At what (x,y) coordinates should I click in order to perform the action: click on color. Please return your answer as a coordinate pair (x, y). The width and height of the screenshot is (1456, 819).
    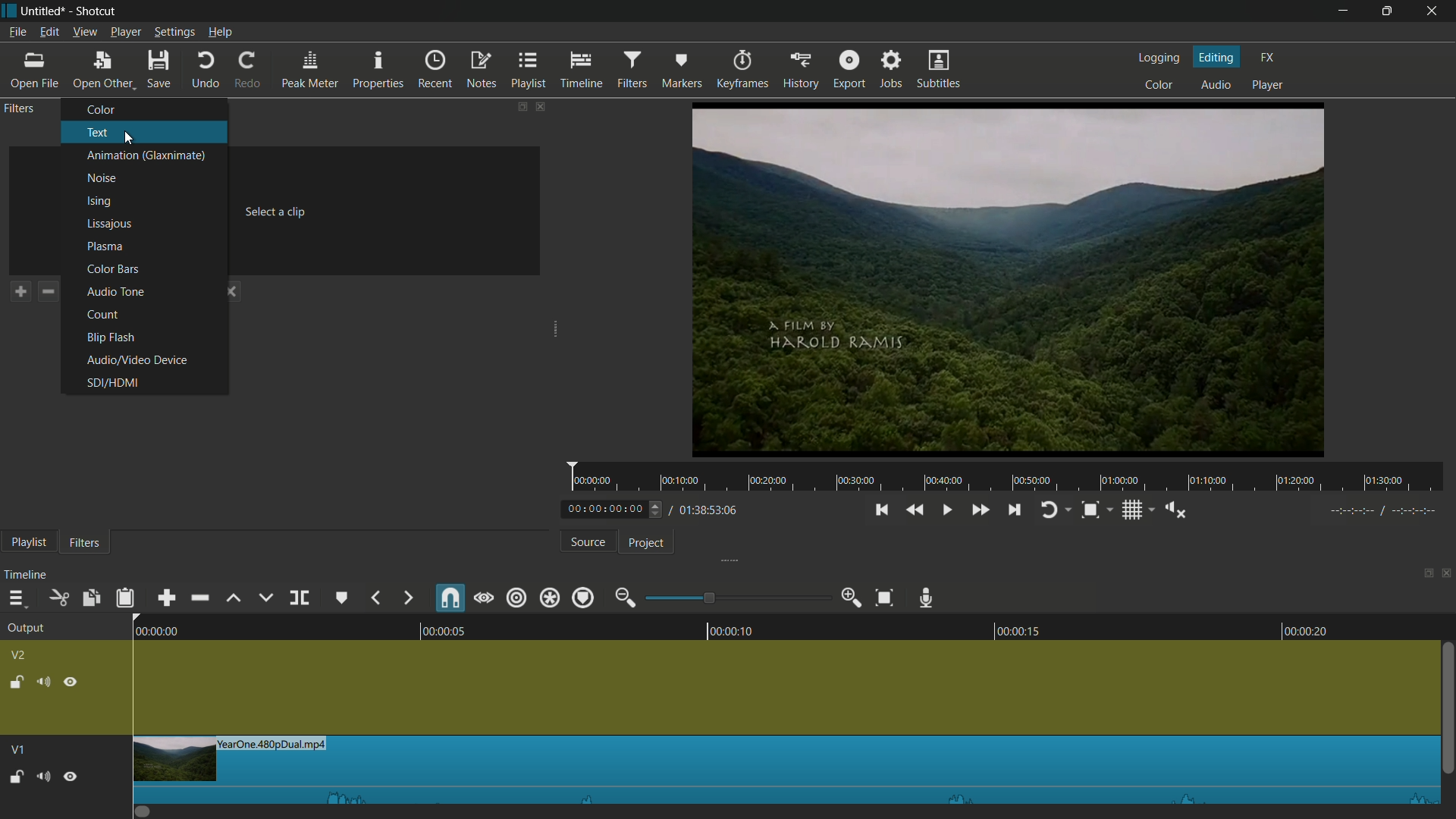
    Looking at the image, I should click on (1162, 86).